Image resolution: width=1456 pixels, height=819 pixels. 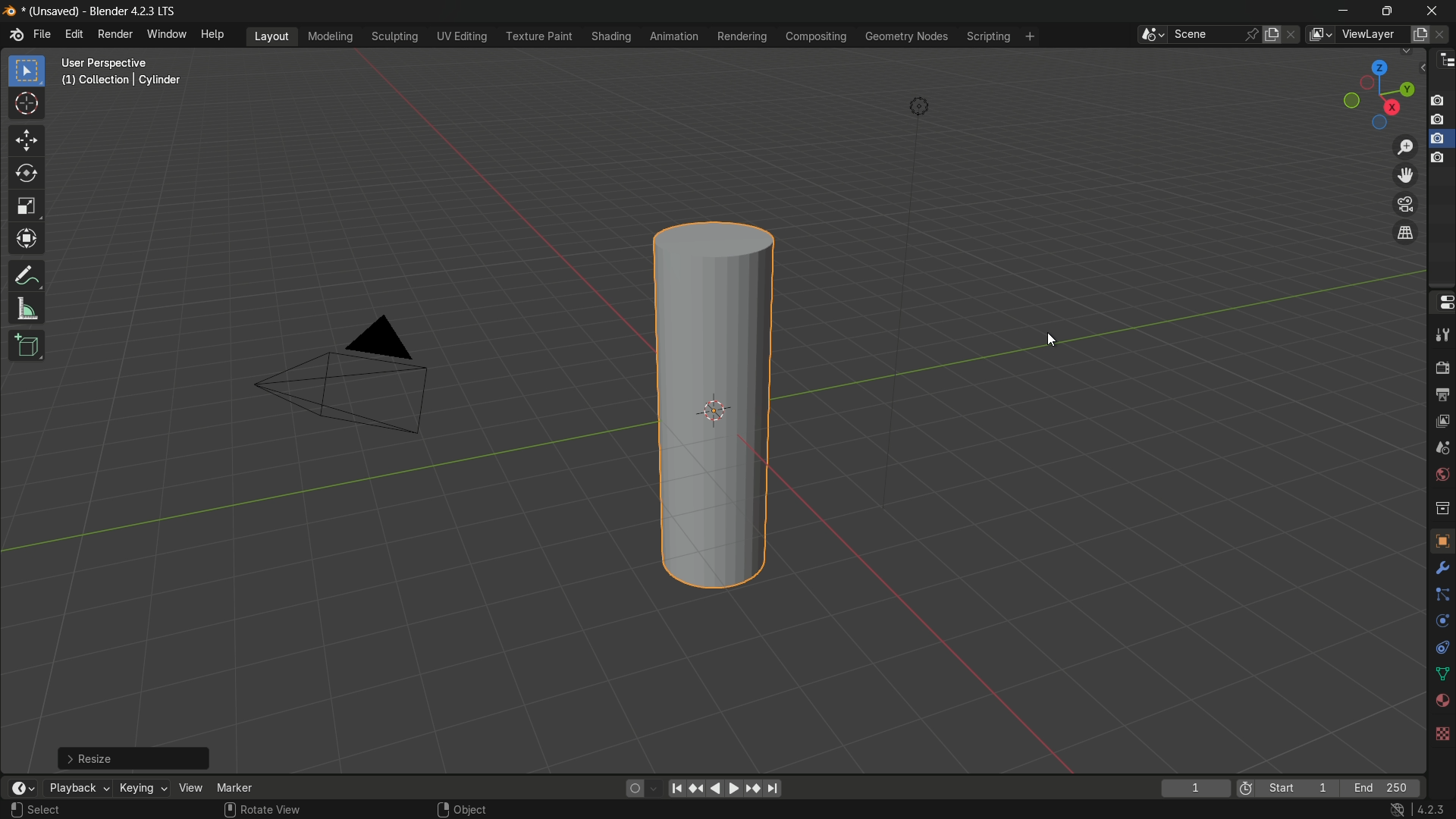 What do you see at coordinates (695, 788) in the screenshot?
I see `jump to keyframe` at bounding box center [695, 788].